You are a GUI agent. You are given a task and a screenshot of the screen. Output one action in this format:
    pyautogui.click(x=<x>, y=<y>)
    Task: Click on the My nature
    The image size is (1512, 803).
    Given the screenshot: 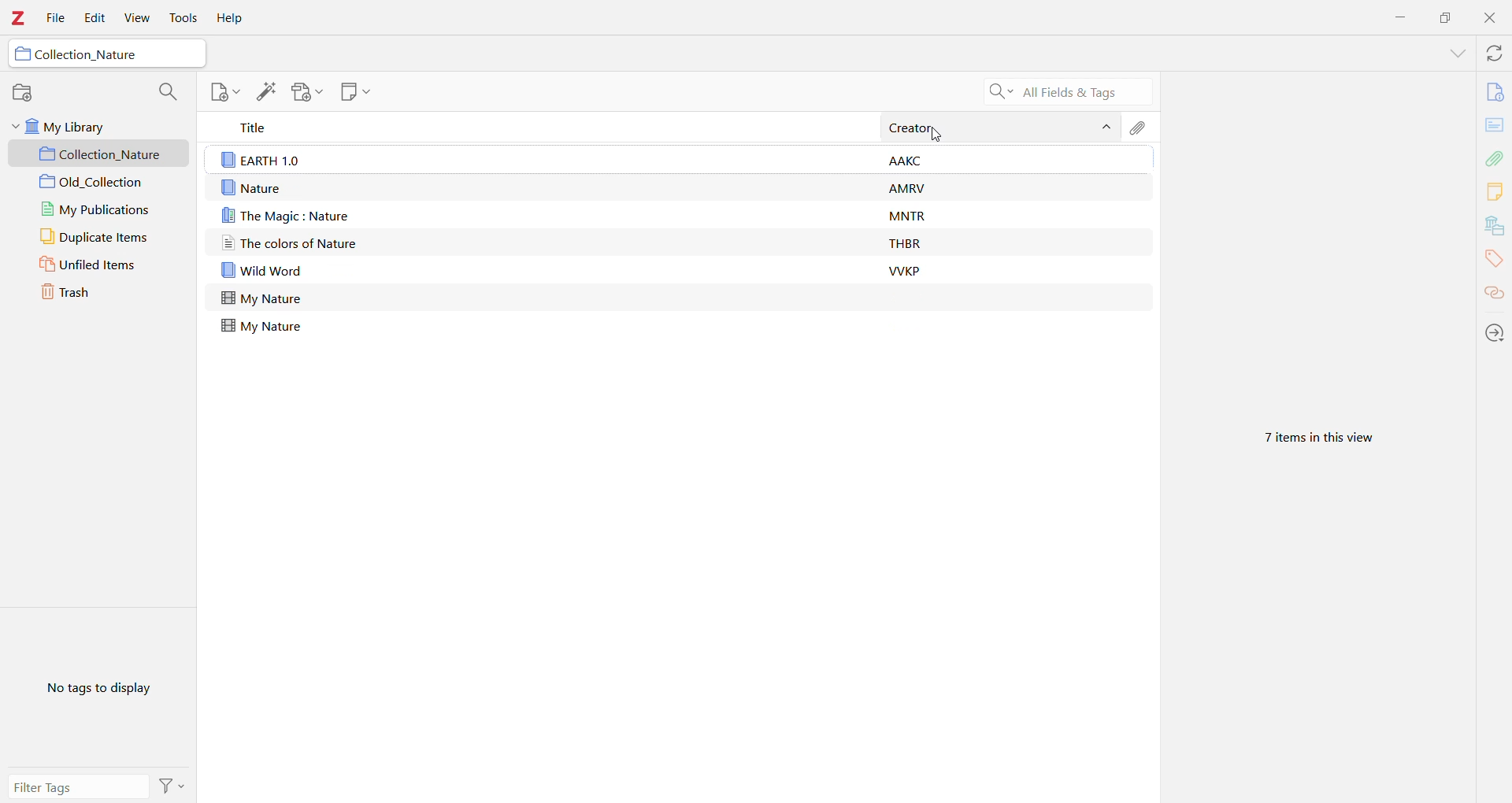 What is the action you would take?
    pyautogui.click(x=292, y=328)
    